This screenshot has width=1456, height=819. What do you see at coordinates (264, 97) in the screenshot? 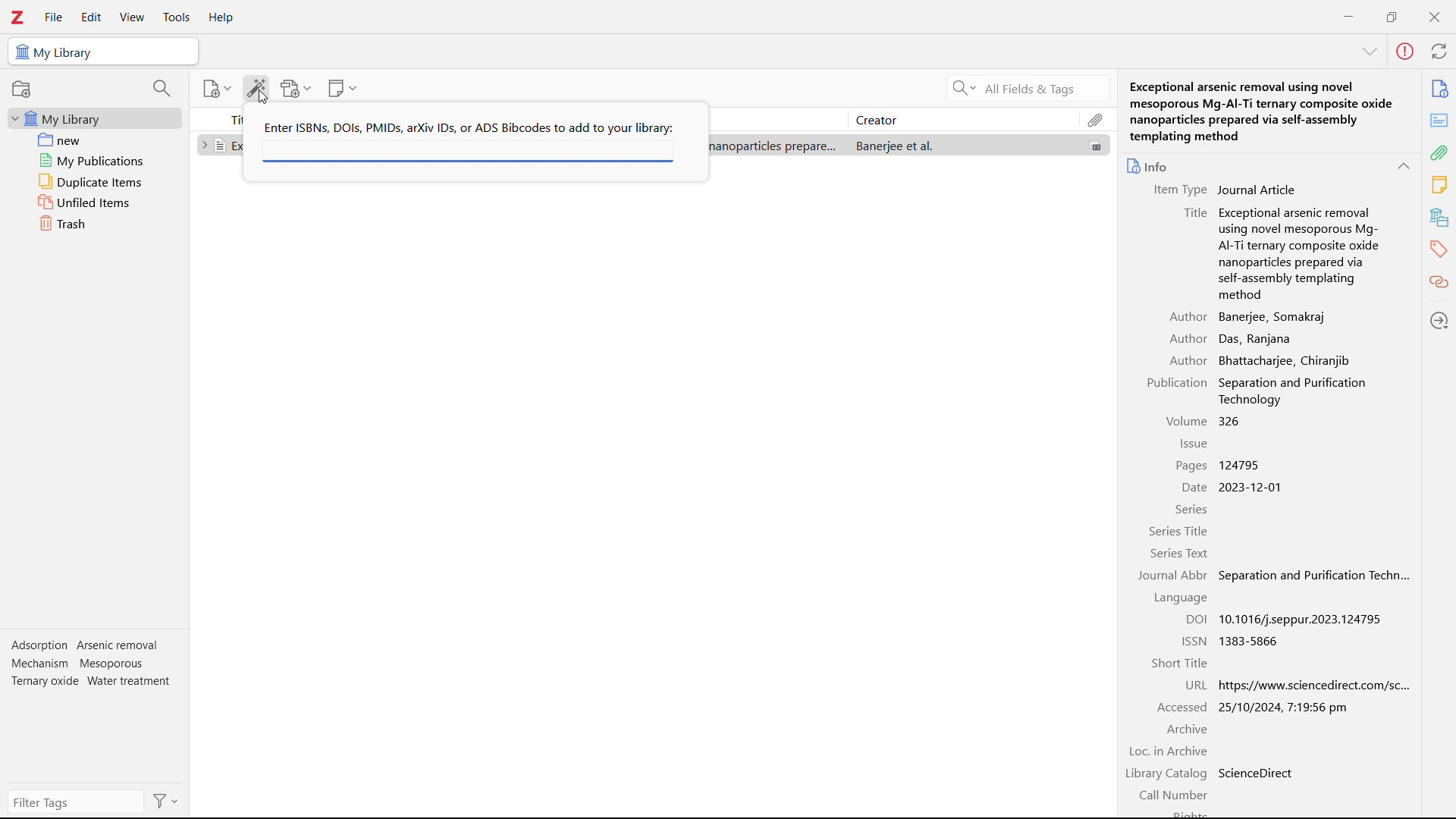
I see `cursor` at bounding box center [264, 97].